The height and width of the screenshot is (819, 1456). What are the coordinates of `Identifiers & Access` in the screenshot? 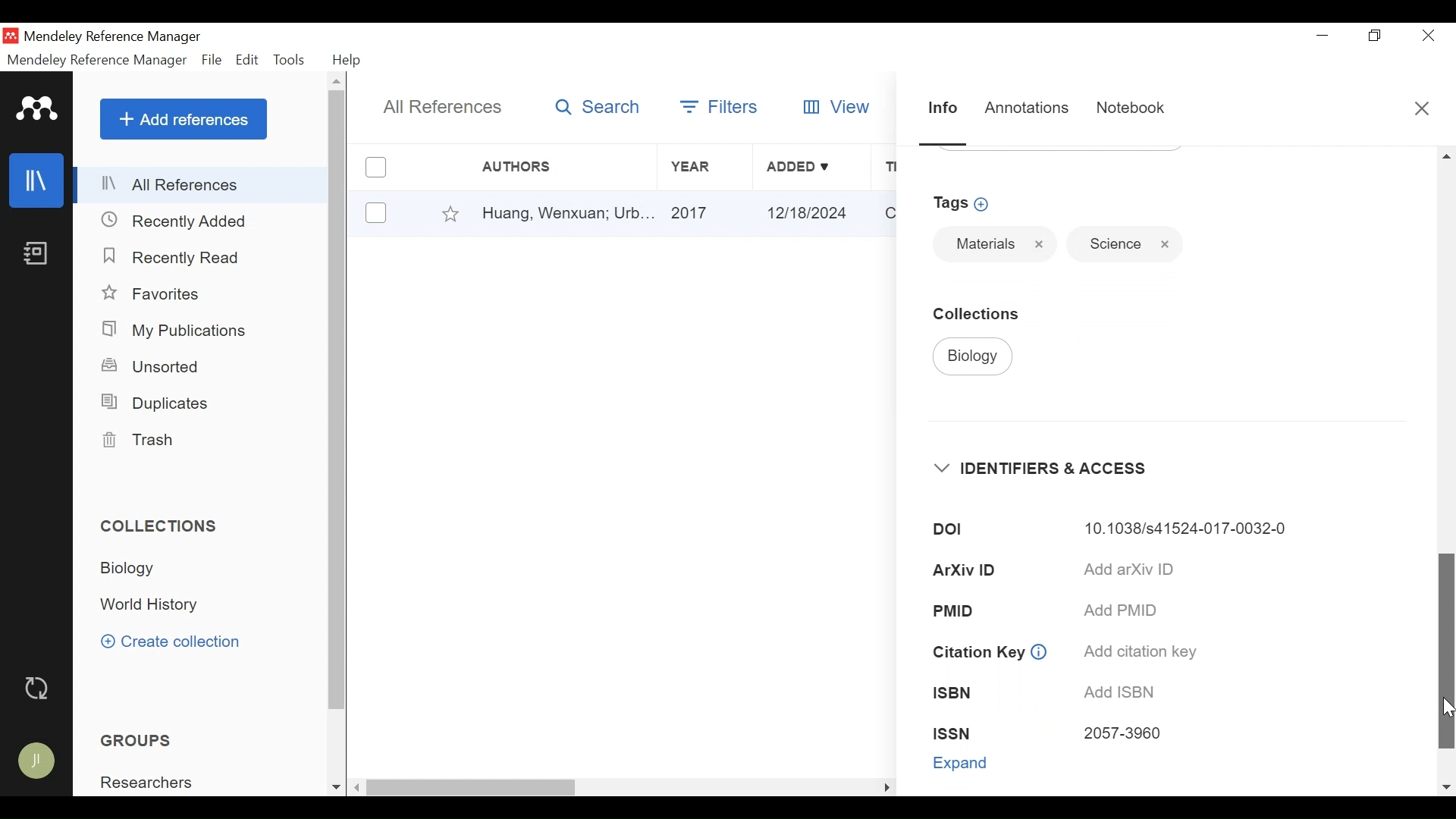 It's located at (1052, 468).